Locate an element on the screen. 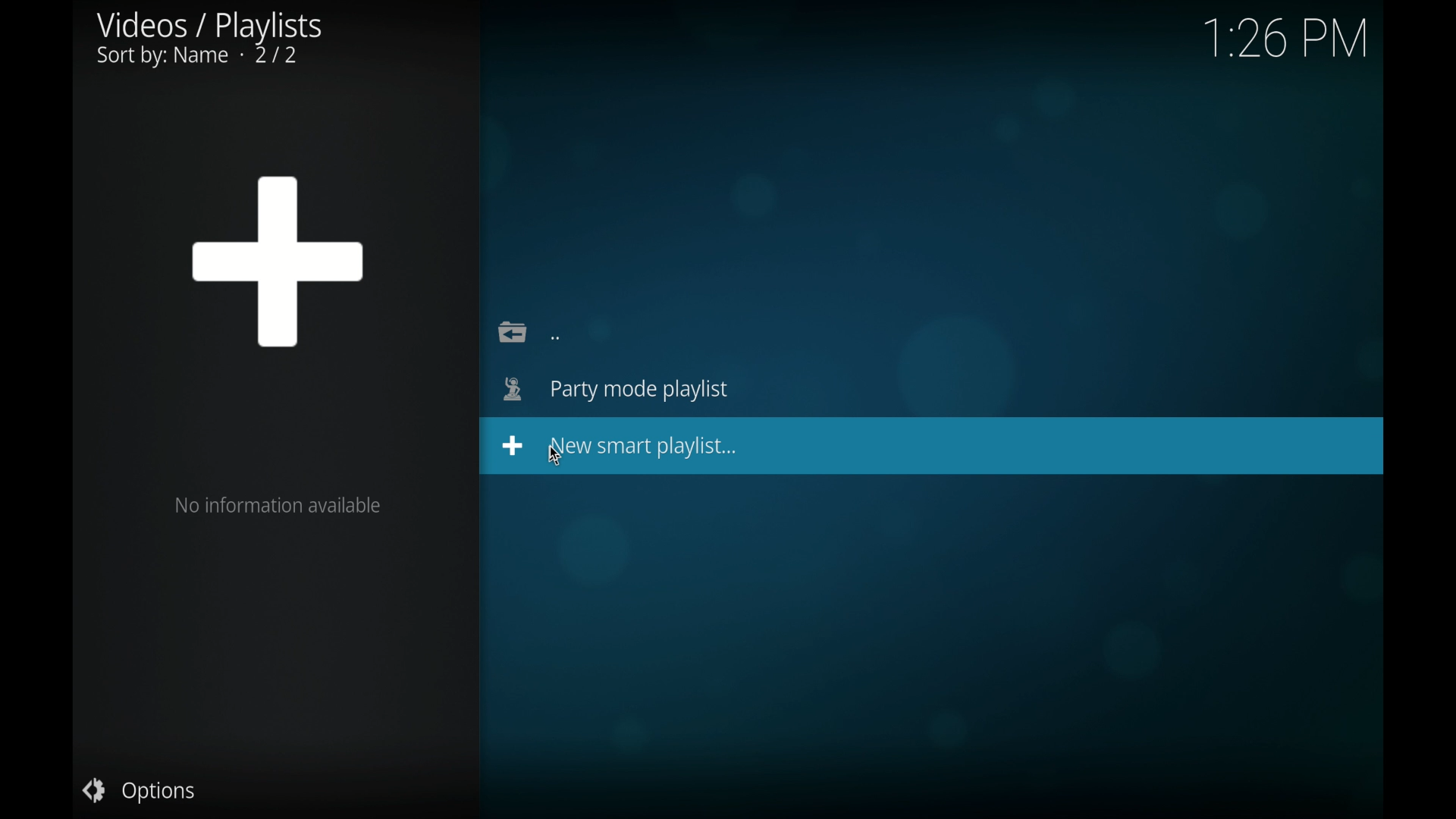  cursor is located at coordinates (555, 457).